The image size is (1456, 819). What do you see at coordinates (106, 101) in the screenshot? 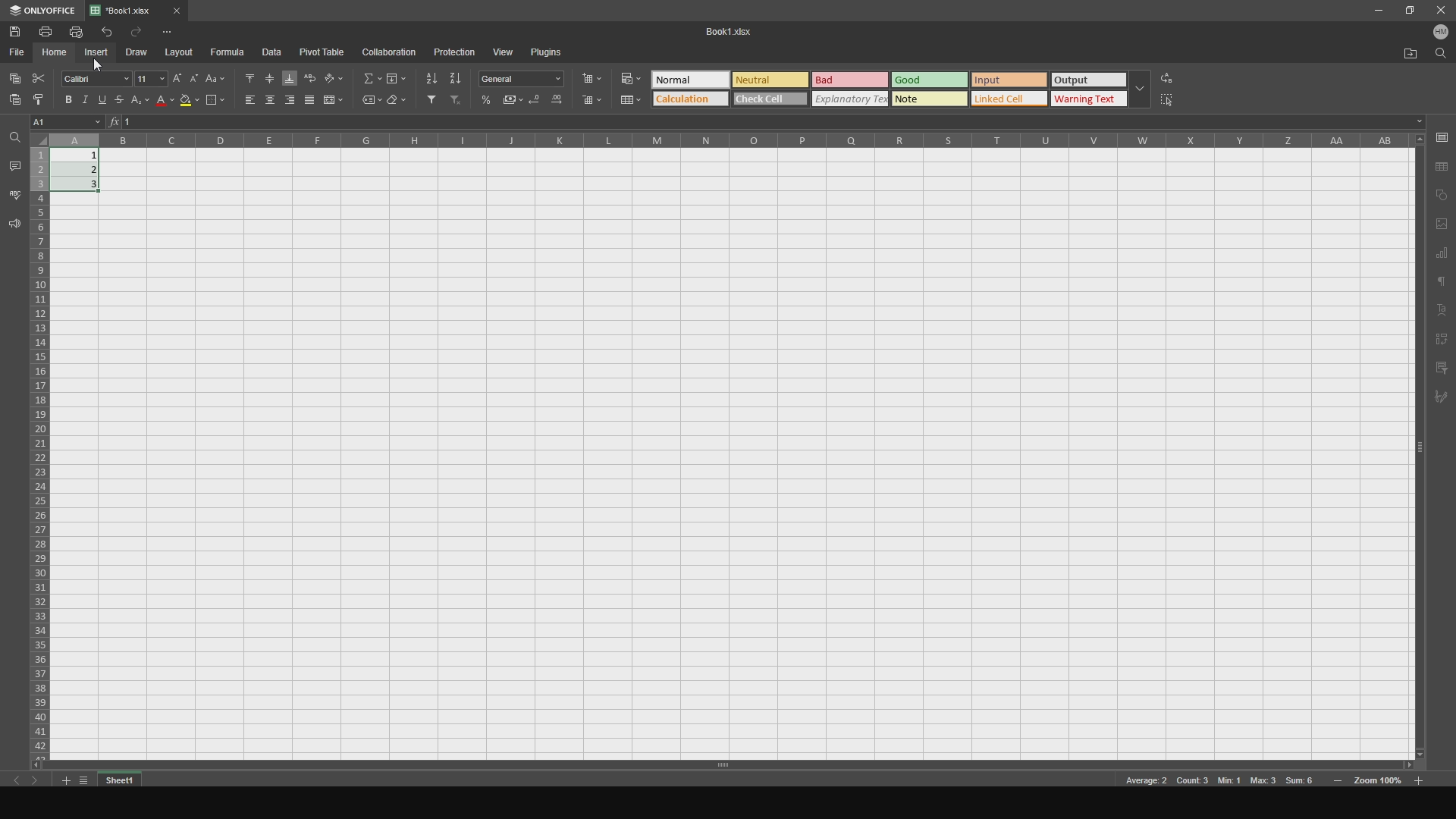
I see `underline` at bounding box center [106, 101].